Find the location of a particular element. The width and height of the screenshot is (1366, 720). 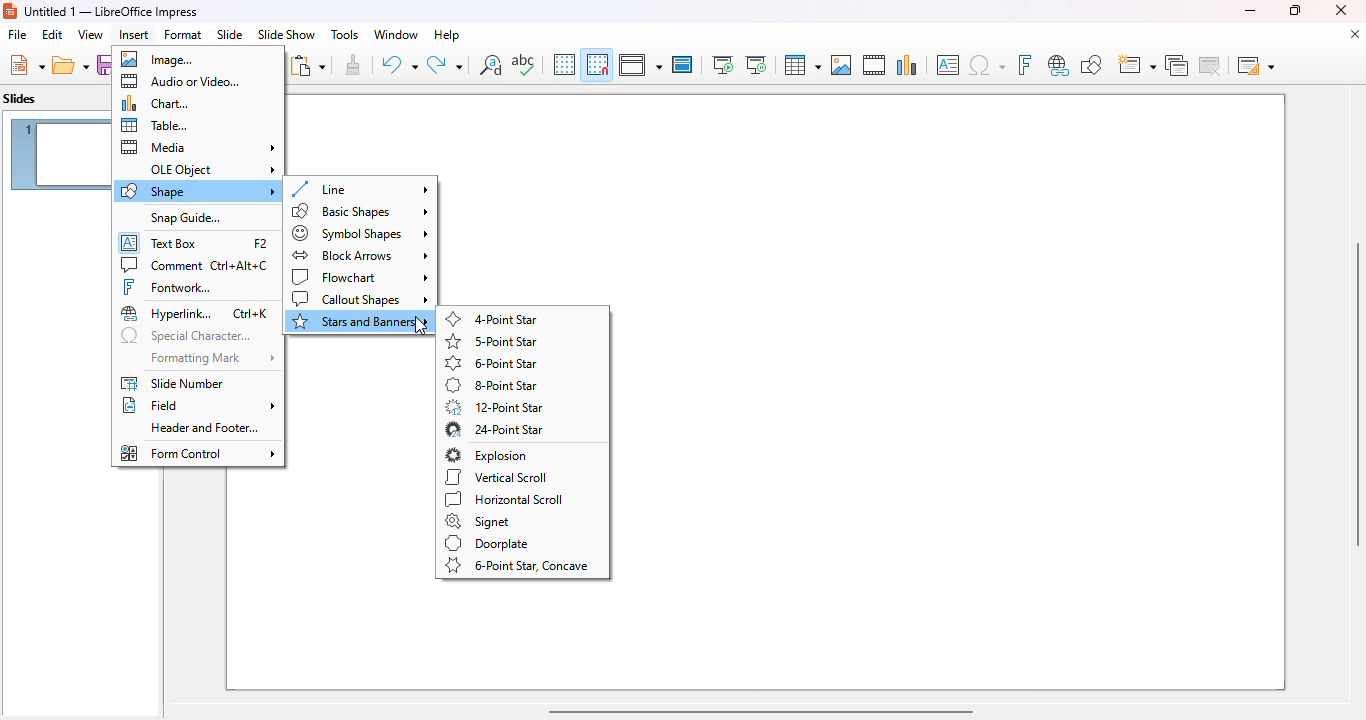

show draw functions is located at coordinates (1090, 64).